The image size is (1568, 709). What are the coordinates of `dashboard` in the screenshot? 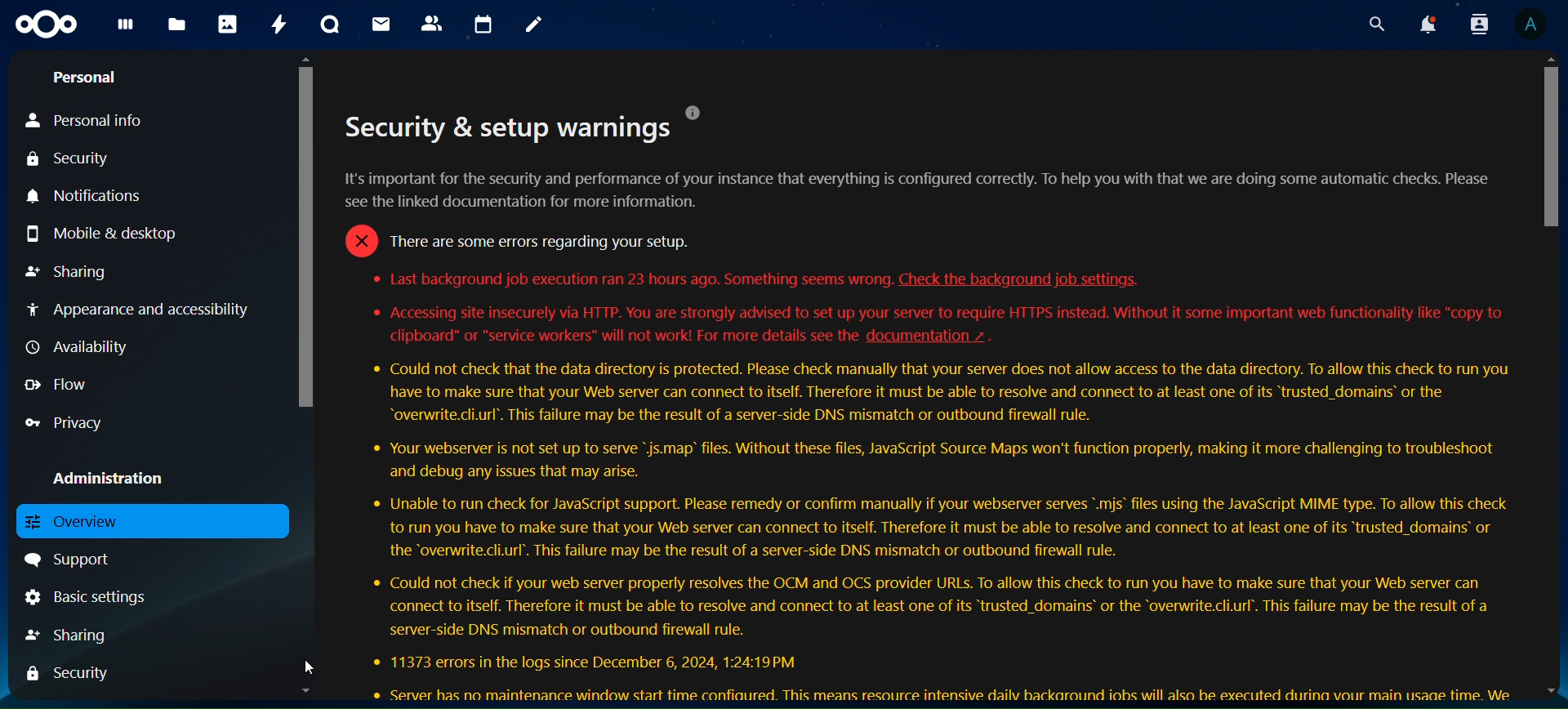 It's located at (124, 29).